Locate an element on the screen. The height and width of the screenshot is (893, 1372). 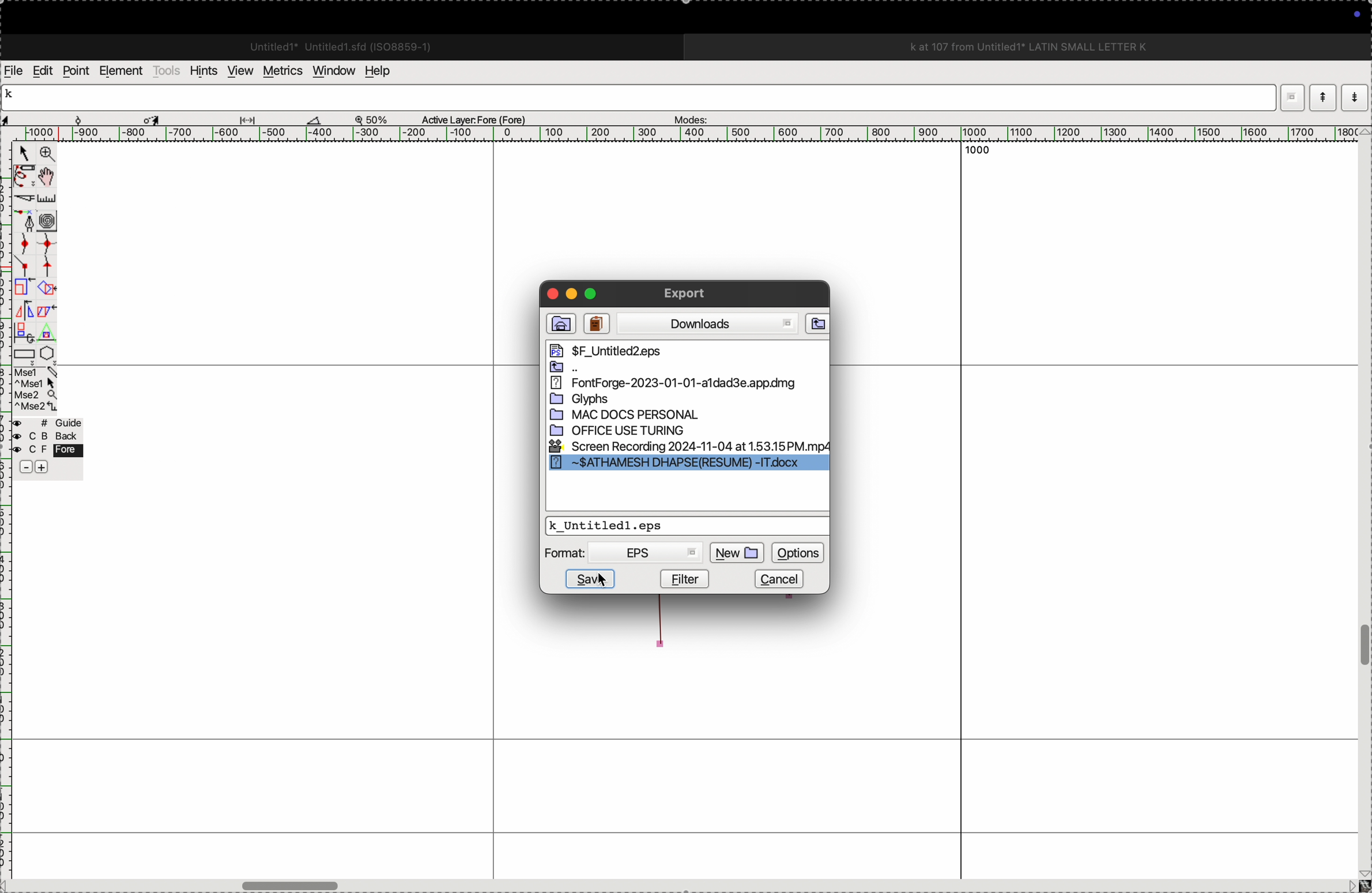
zoom is located at coordinates (375, 119).